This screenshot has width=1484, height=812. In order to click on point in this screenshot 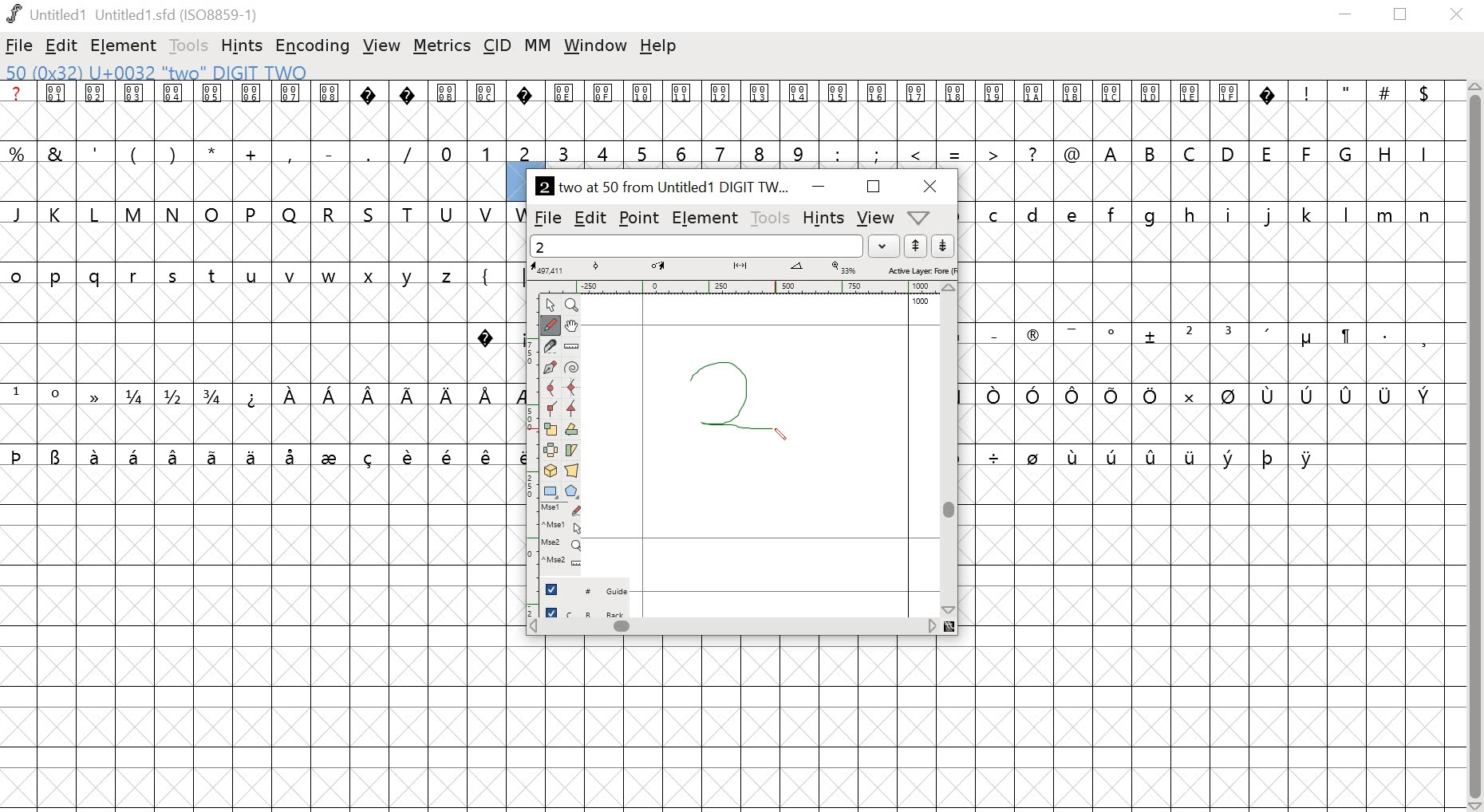, I will do `click(638, 218)`.